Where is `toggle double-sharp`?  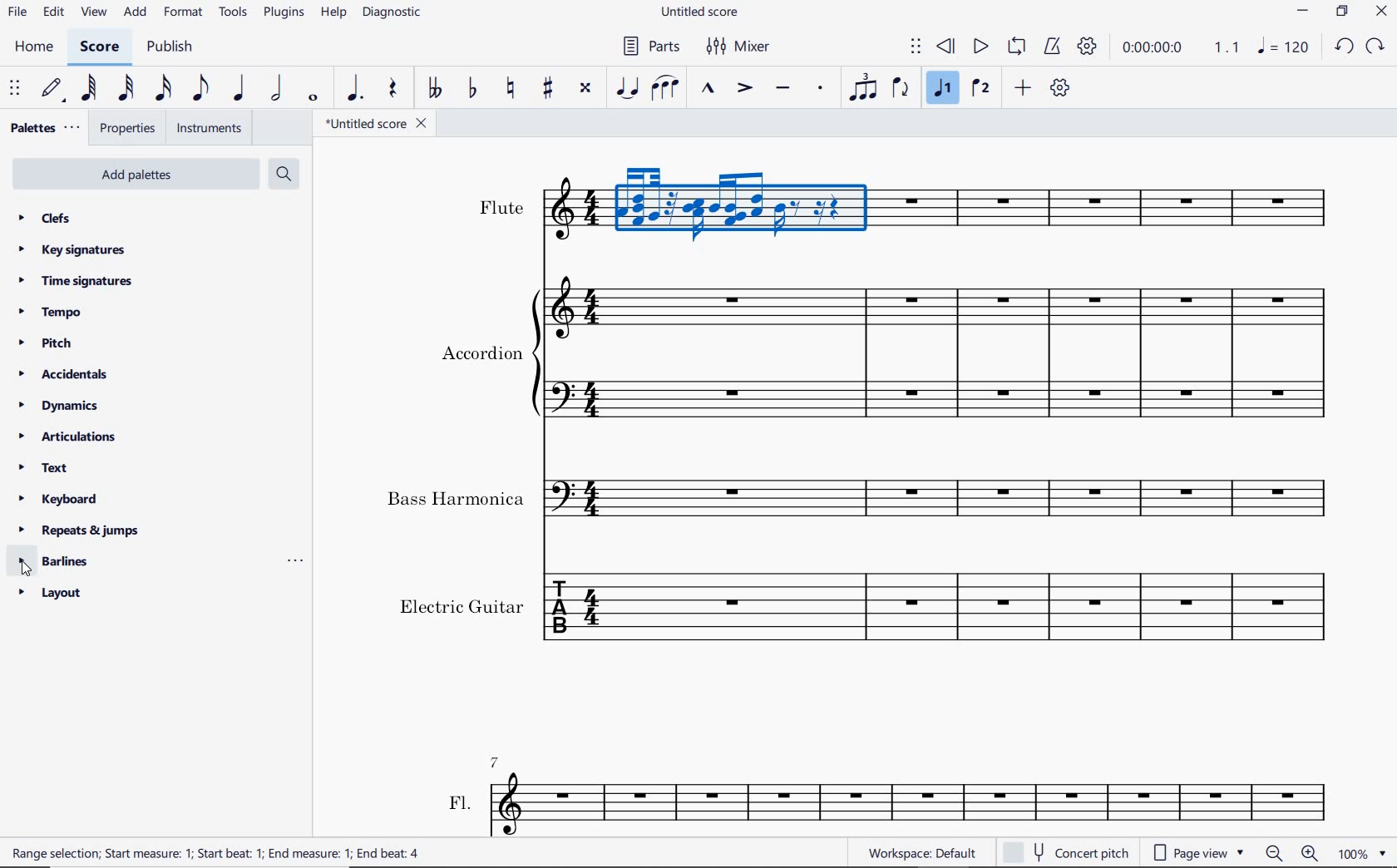 toggle double-sharp is located at coordinates (585, 88).